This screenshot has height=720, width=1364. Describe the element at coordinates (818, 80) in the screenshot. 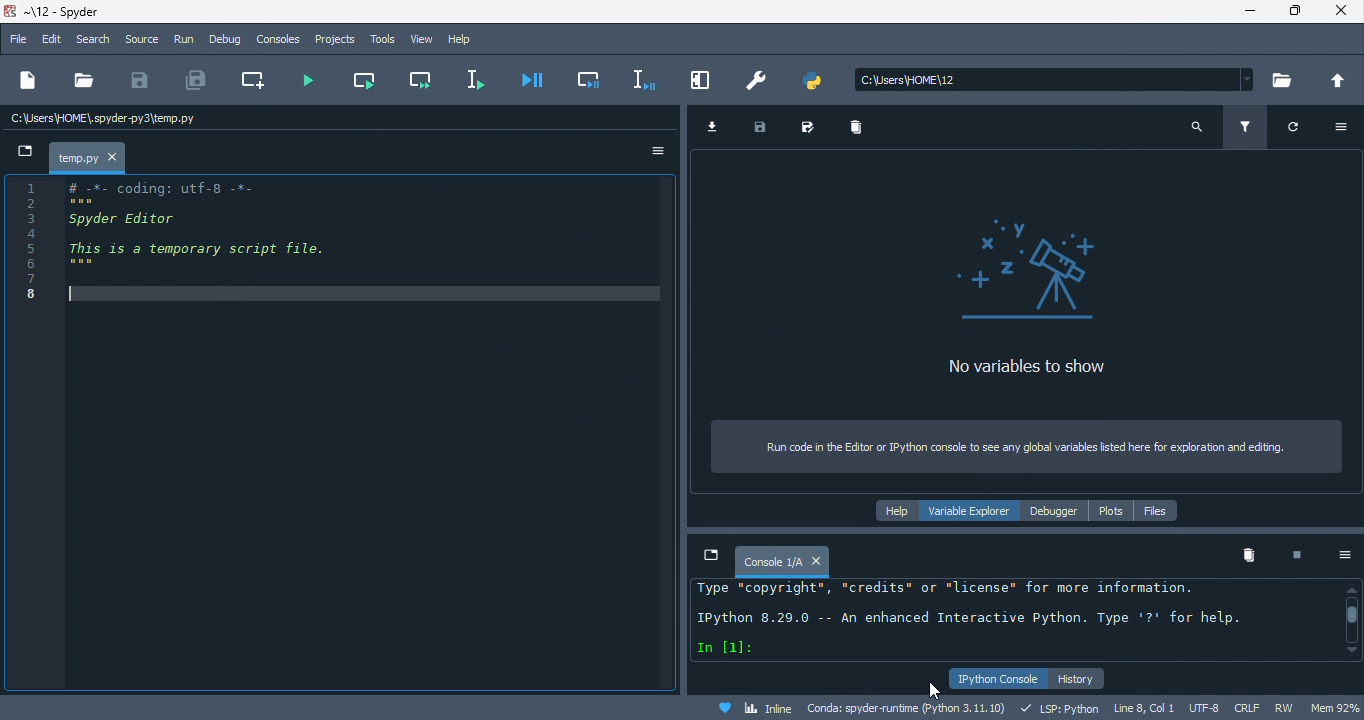

I see `pythonpath manager` at that location.